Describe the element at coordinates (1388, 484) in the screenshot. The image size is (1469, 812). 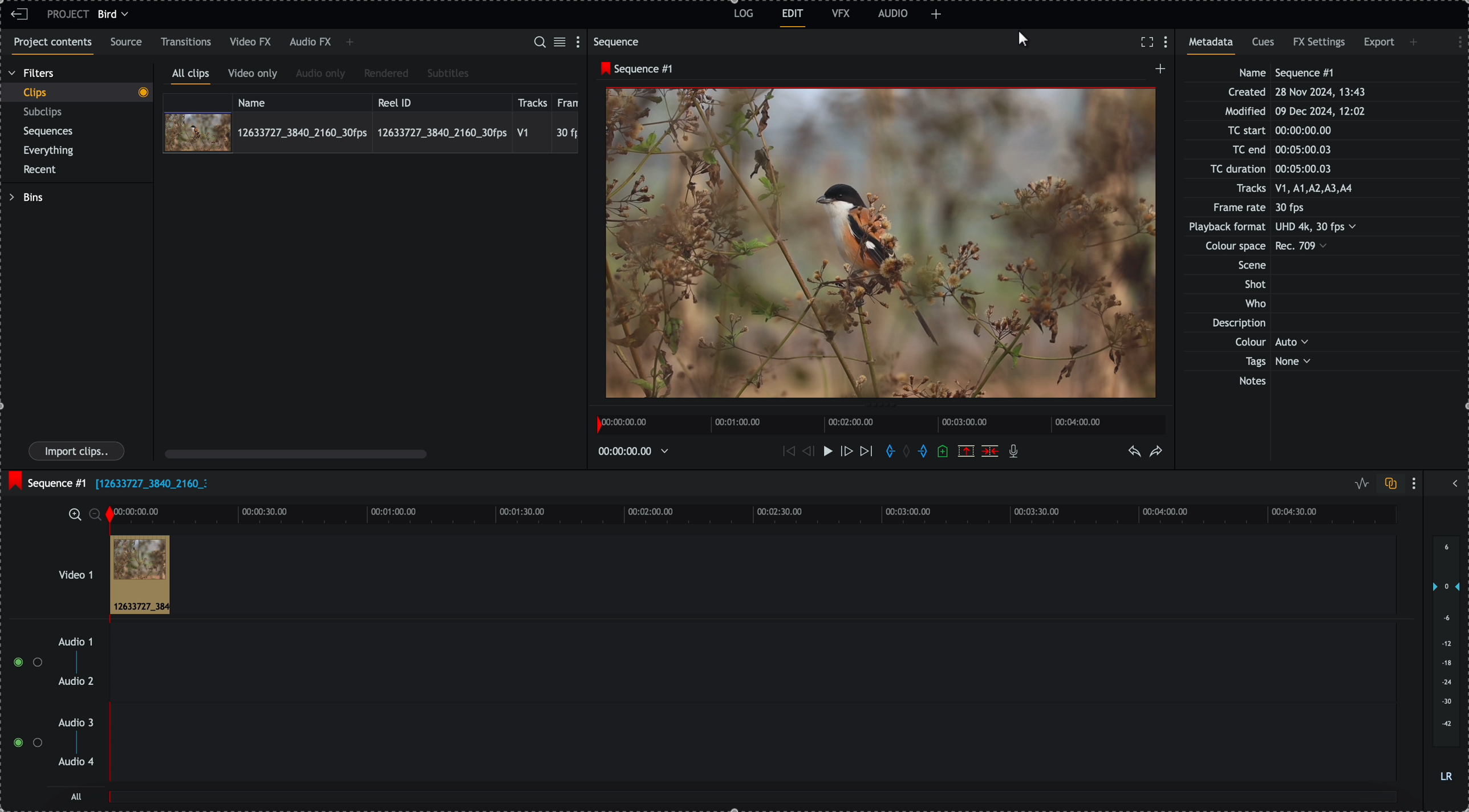
I see `toggle auto track sync` at that location.